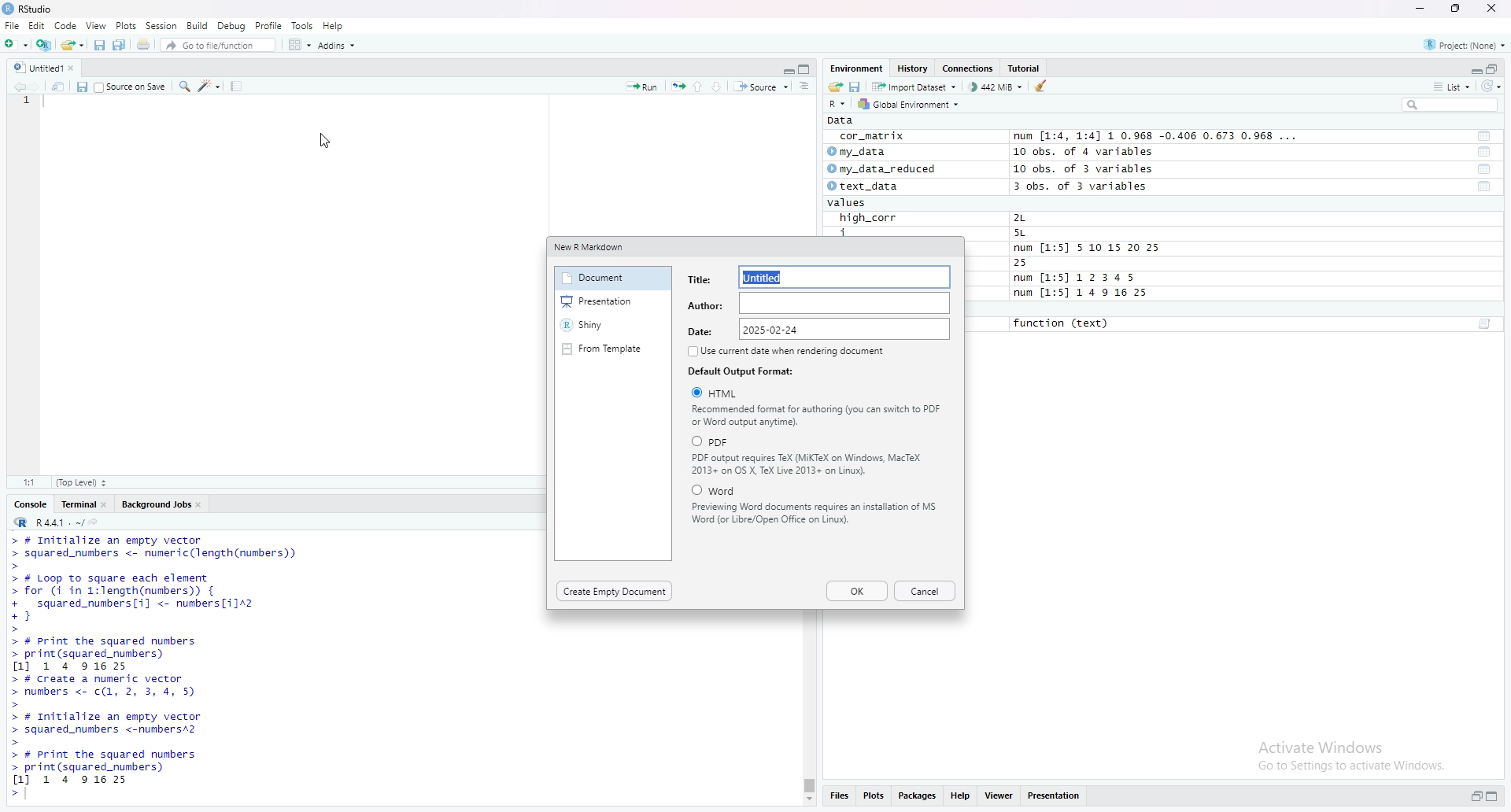  I want to click on Scrollbar down, so click(807, 802).